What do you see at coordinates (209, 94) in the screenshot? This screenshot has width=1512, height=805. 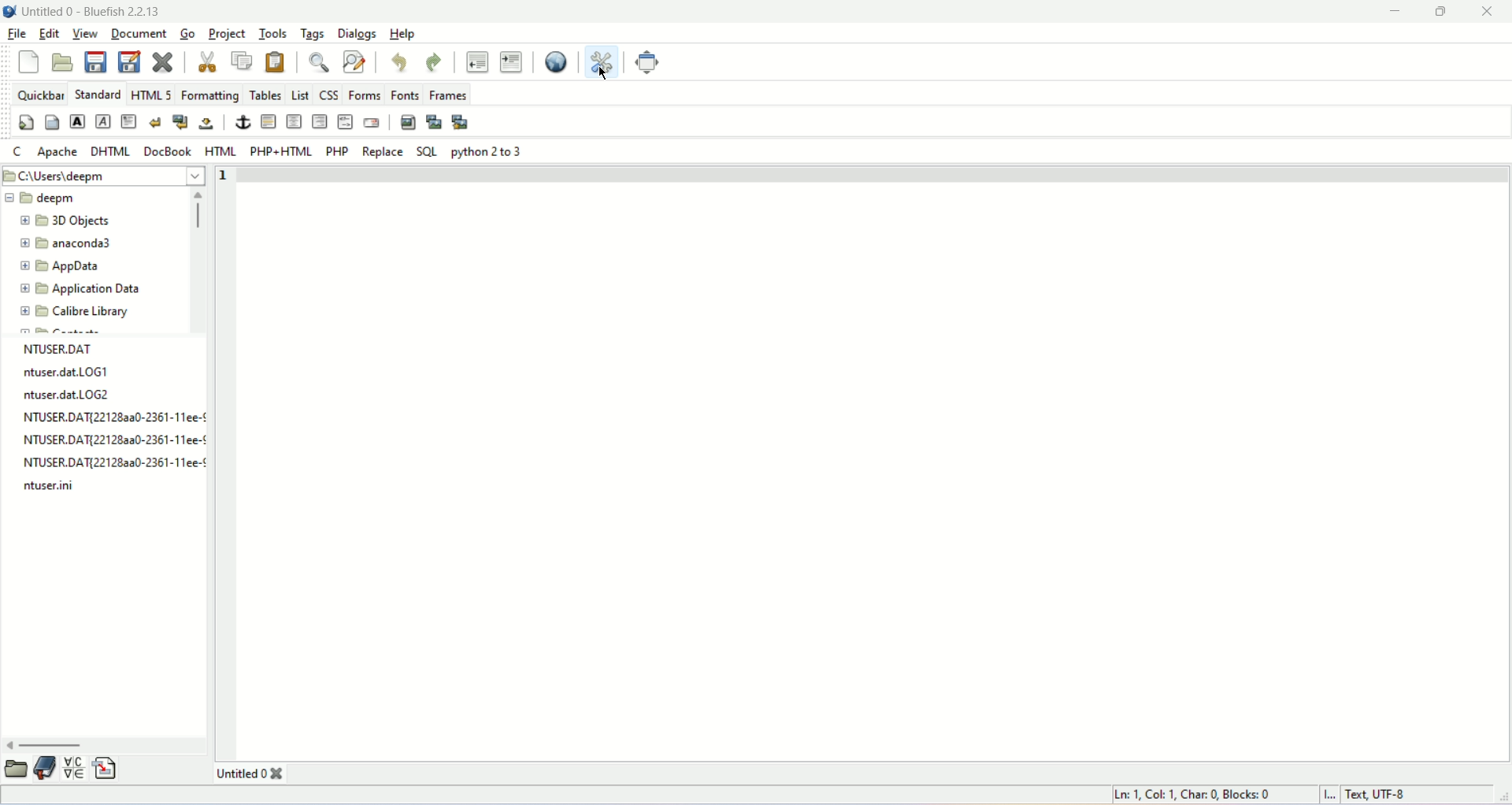 I see `formatting` at bounding box center [209, 94].